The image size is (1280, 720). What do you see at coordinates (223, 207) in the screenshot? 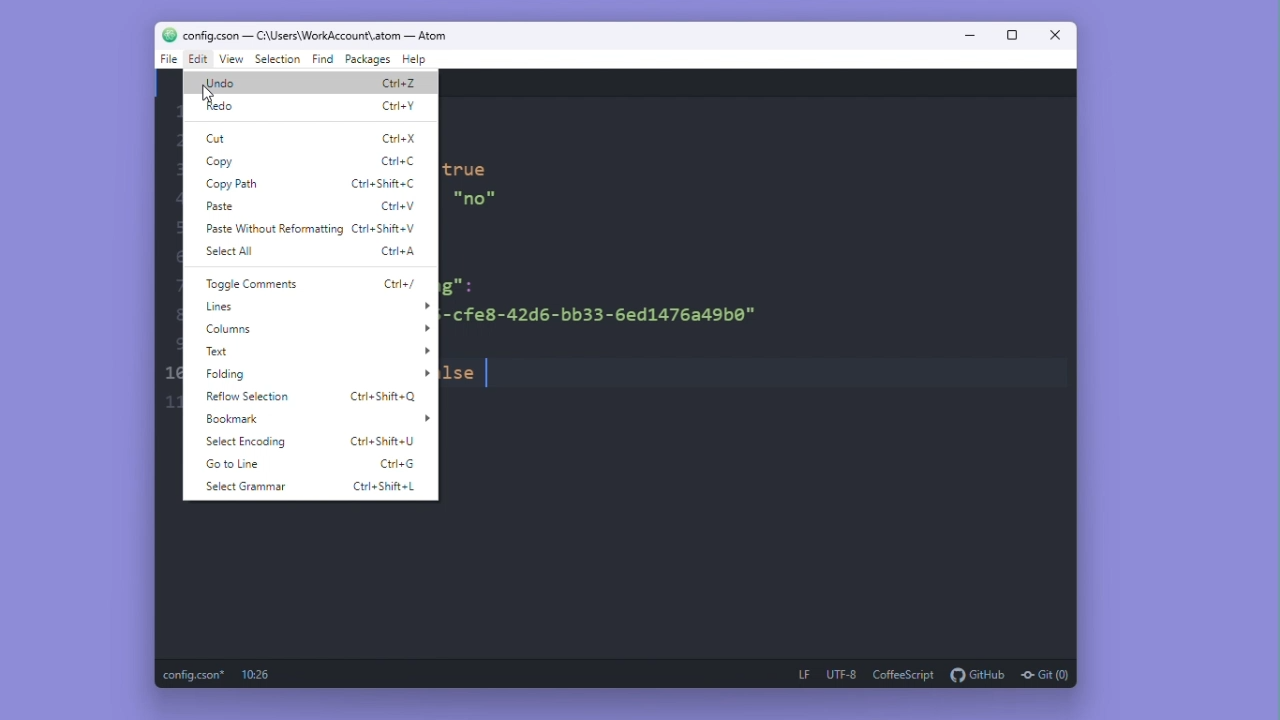
I see `paste` at bounding box center [223, 207].